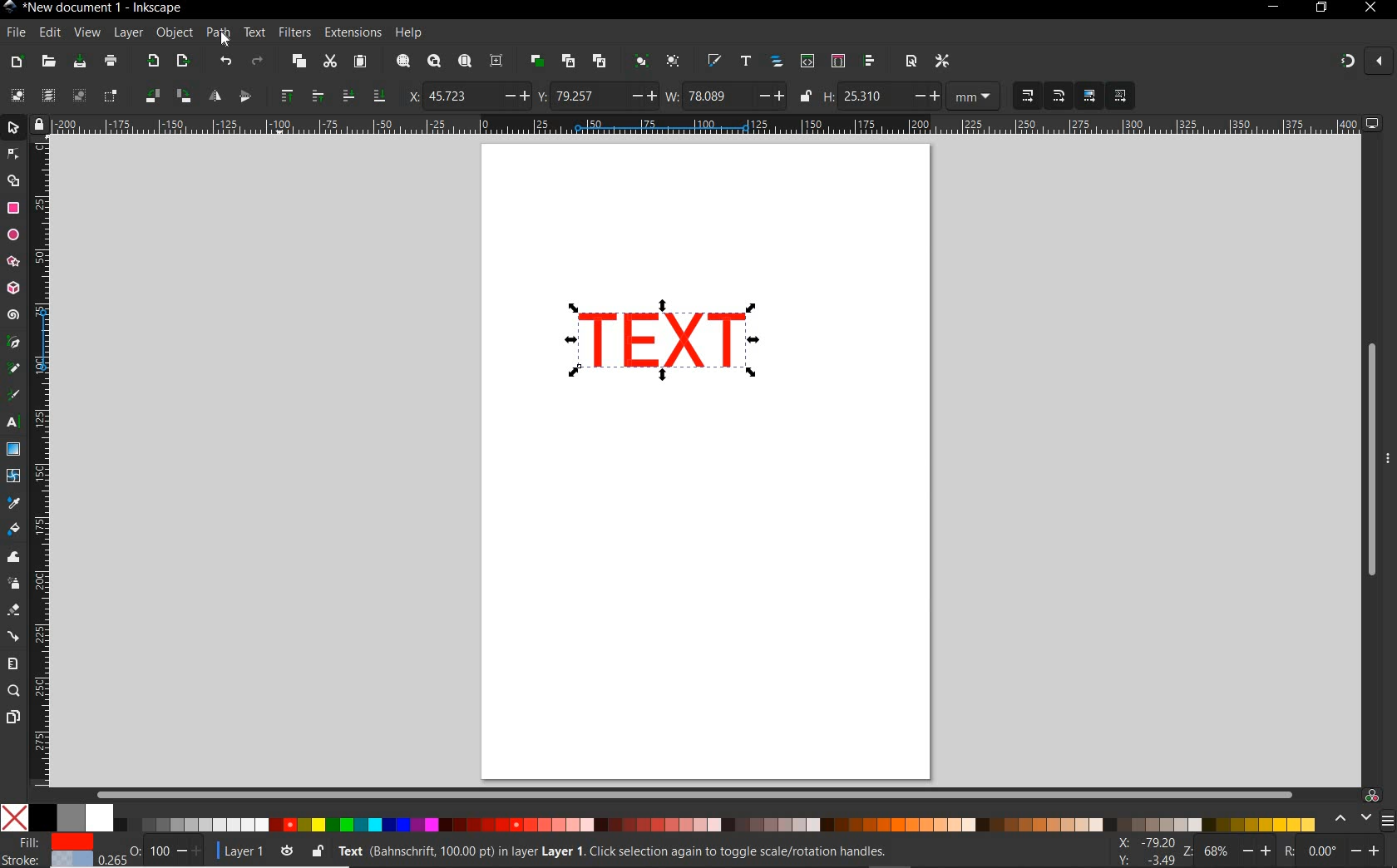  Describe the element at coordinates (42, 463) in the screenshot. I see `RULER` at that location.